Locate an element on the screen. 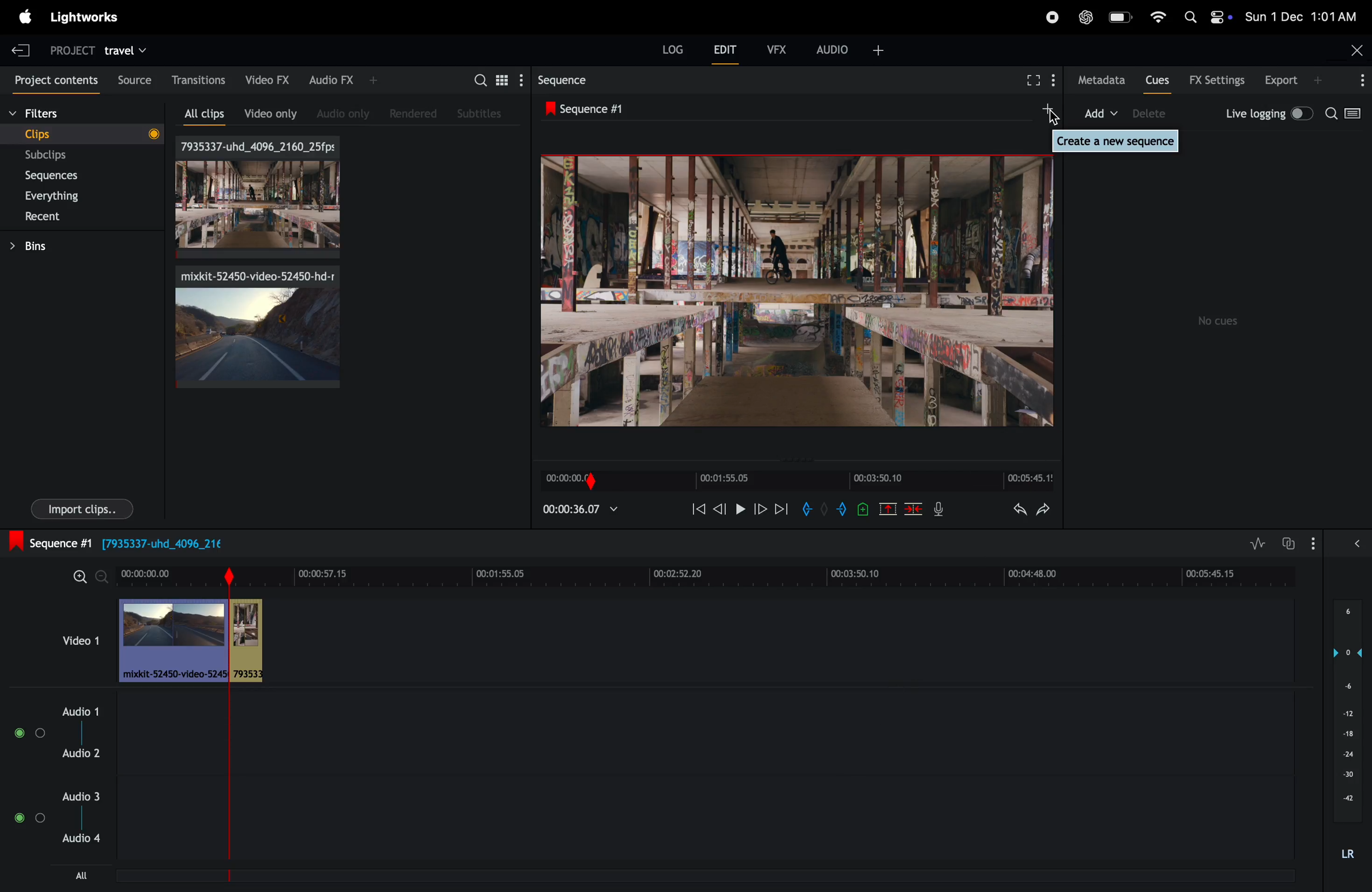 The image size is (1372, 892). add is located at coordinates (1045, 108).